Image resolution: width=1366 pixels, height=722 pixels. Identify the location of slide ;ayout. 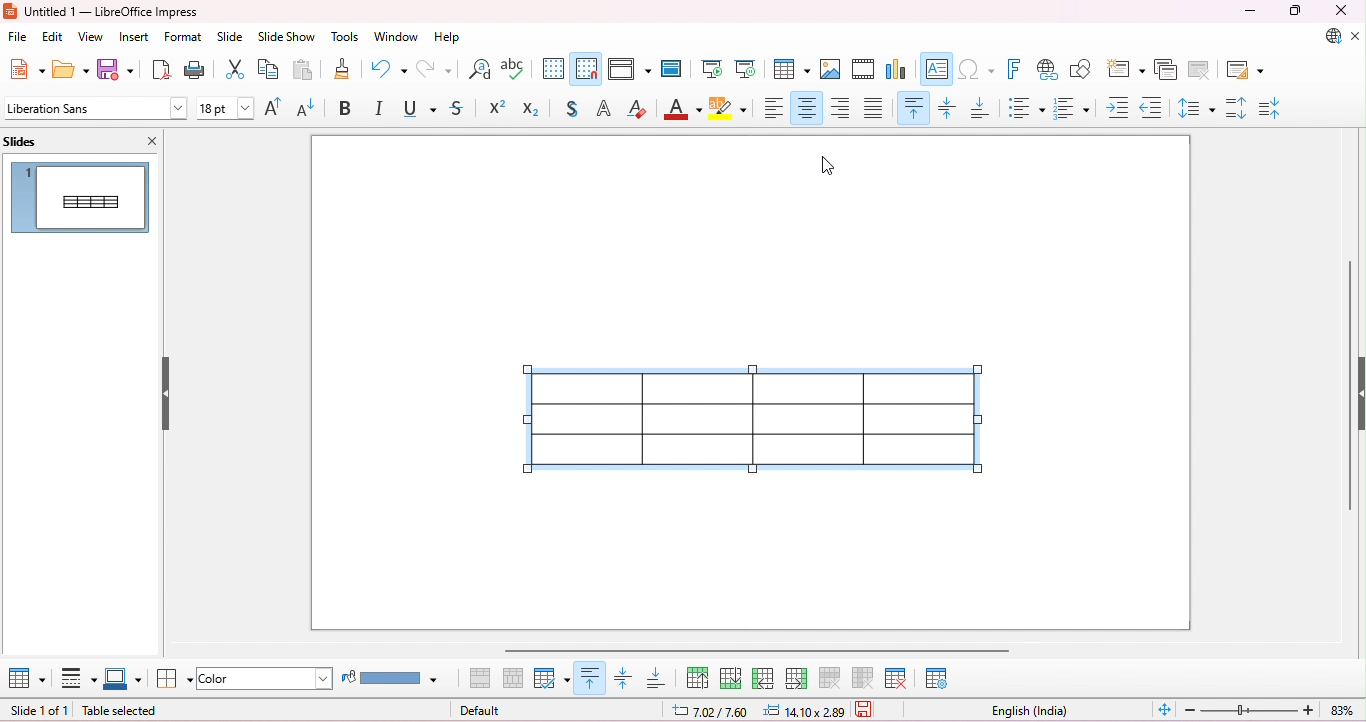
(1246, 71).